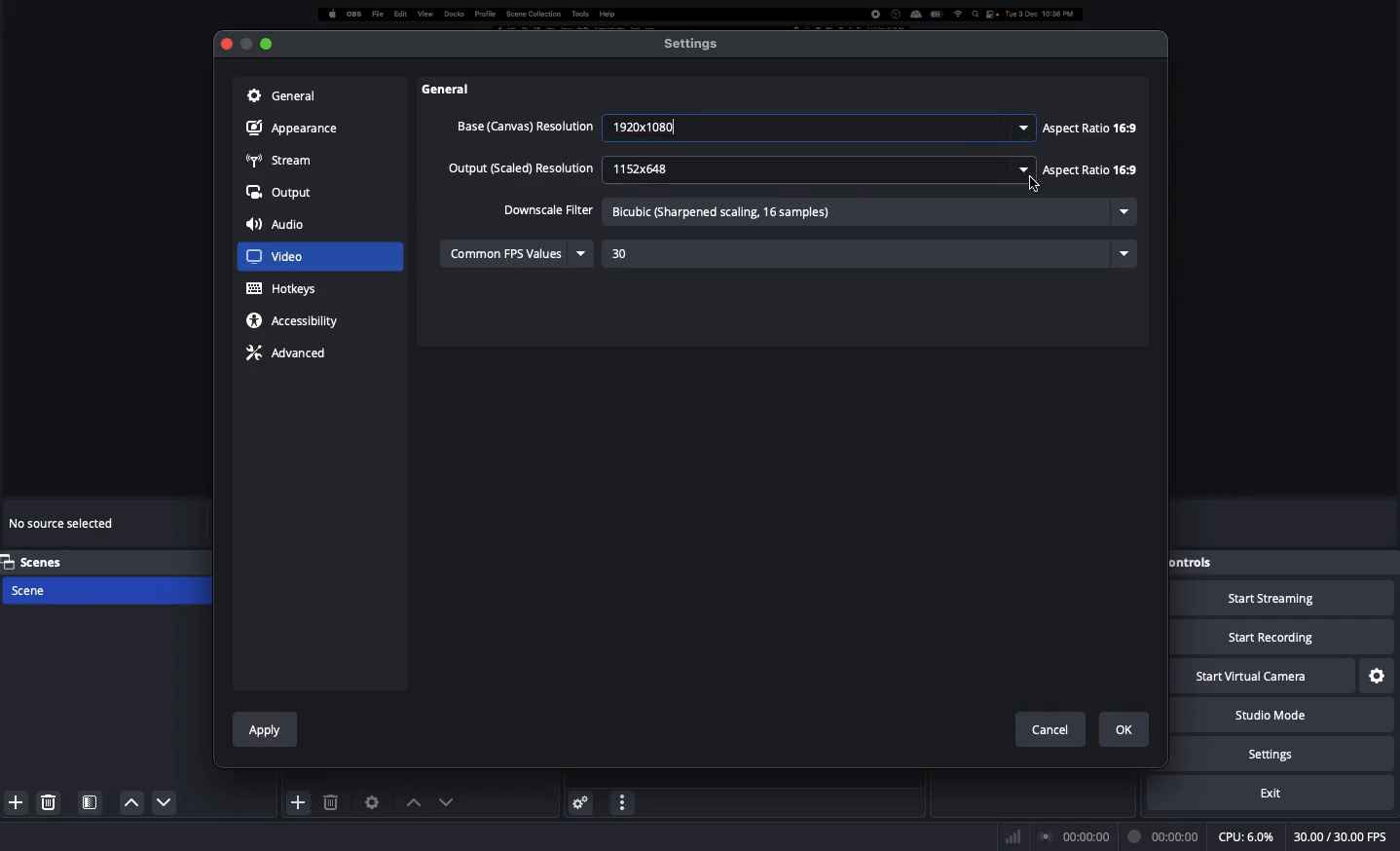 This screenshot has height=851, width=1400. Describe the element at coordinates (51, 801) in the screenshot. I see `Delete` at that location.